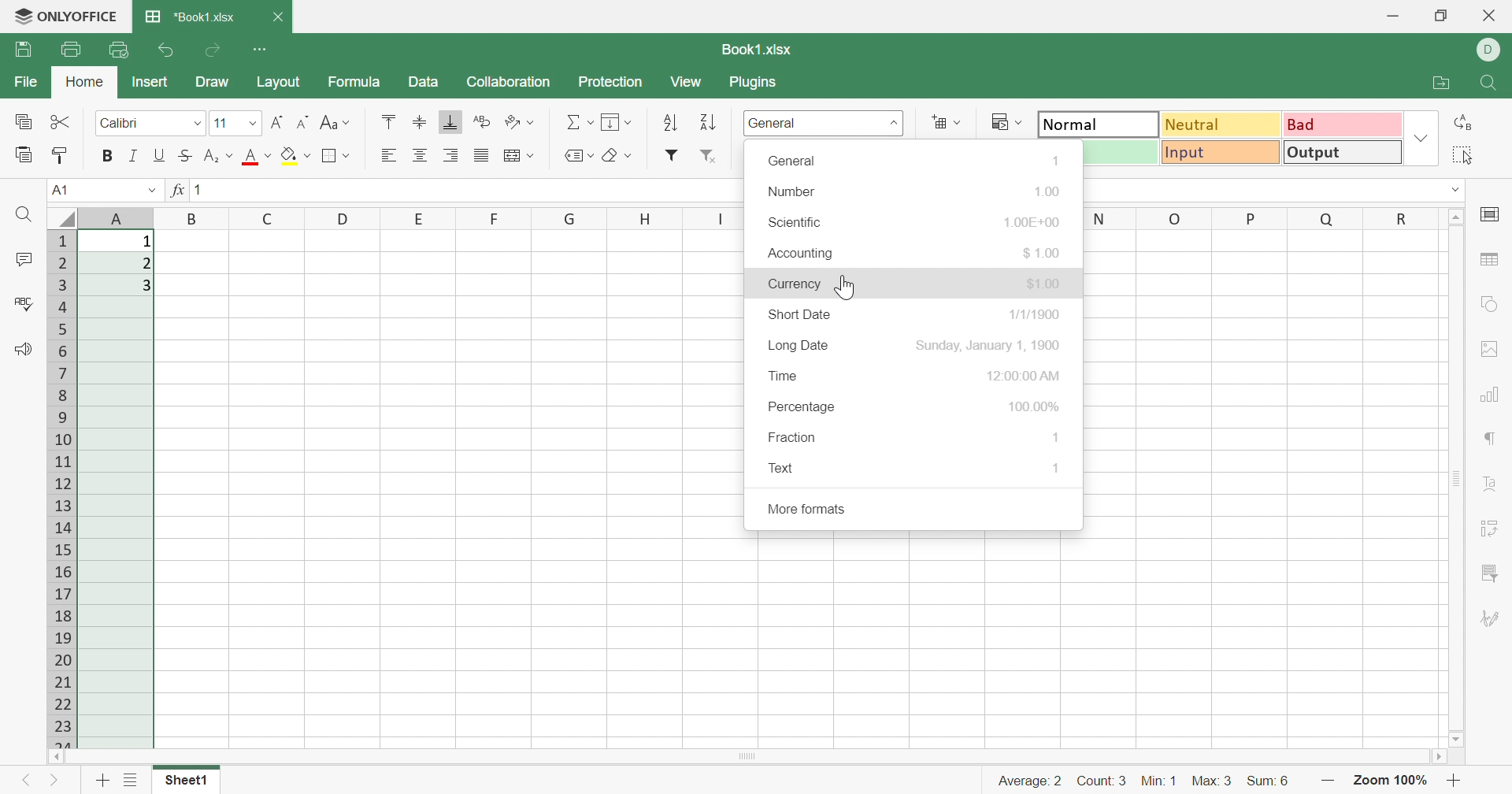  What do you see at coordinates (1489, 302) in the screenshot?
I see `Shape settings` at bounding box center [1489, 302].